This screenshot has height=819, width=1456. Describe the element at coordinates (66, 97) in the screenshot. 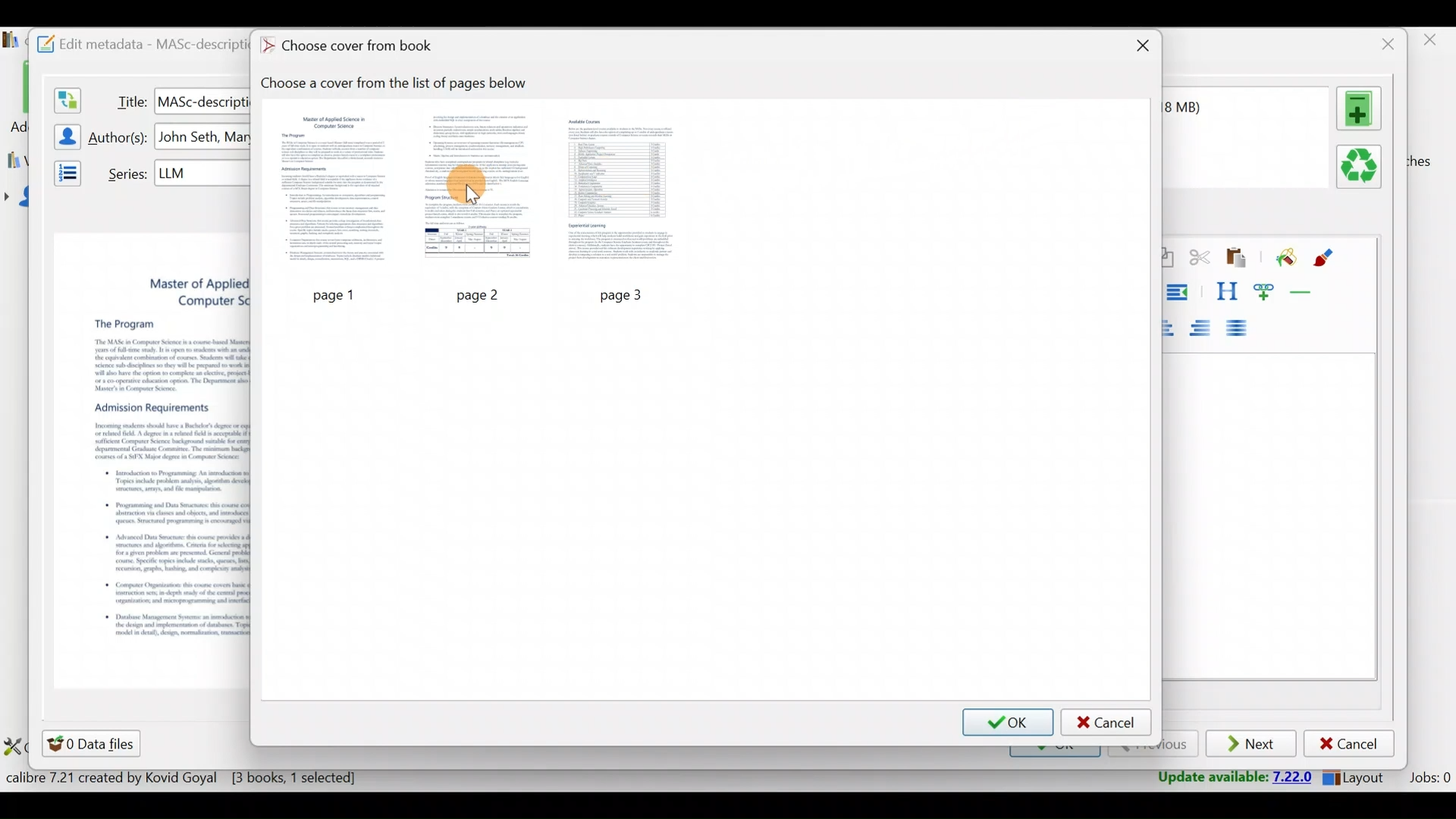

I see `Swap the author and title` at that location.